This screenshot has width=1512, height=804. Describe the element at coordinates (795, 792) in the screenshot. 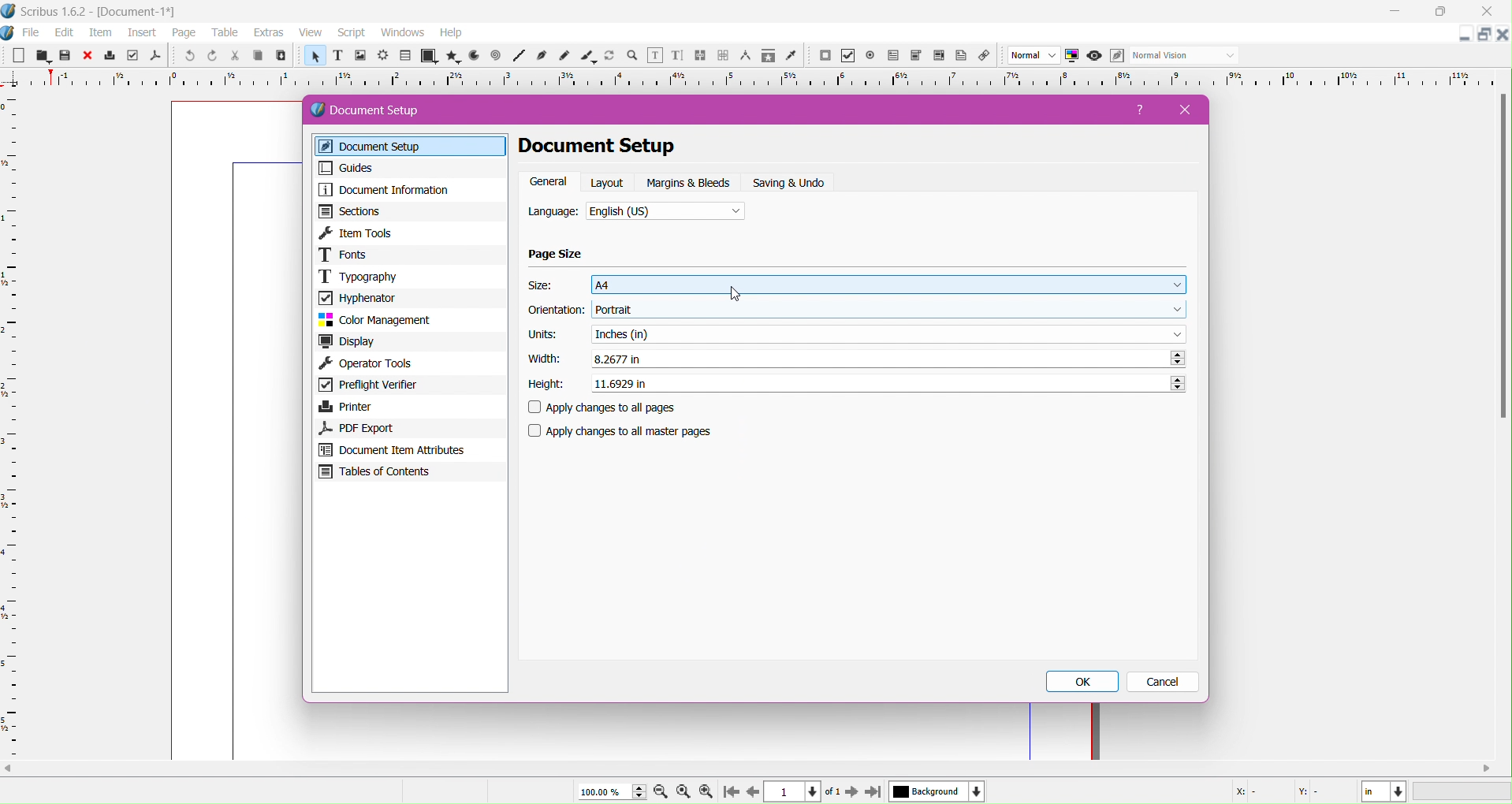

I see `page number` at that location.